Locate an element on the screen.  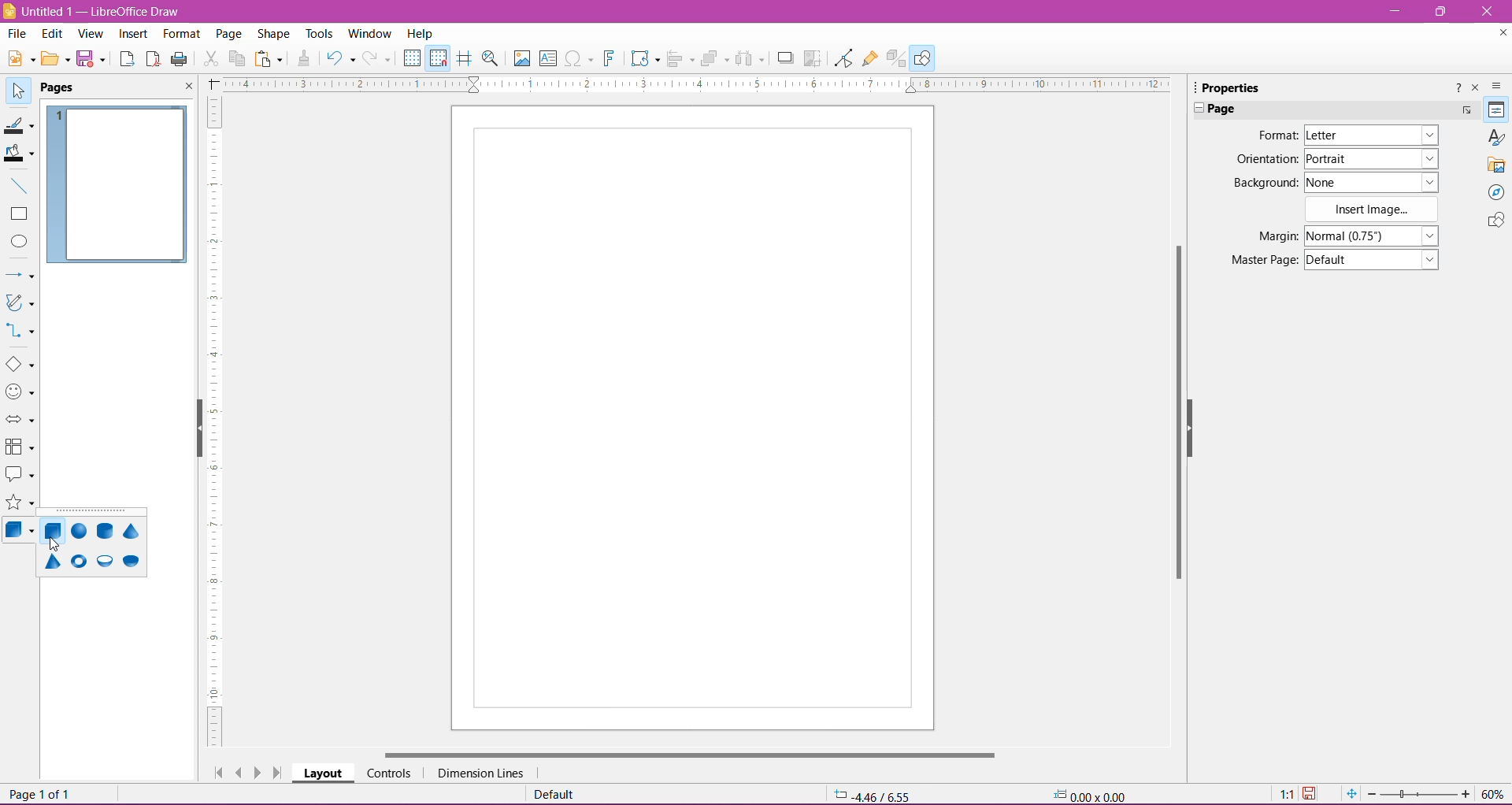
Shapes is located at coordinates (1495, 221).